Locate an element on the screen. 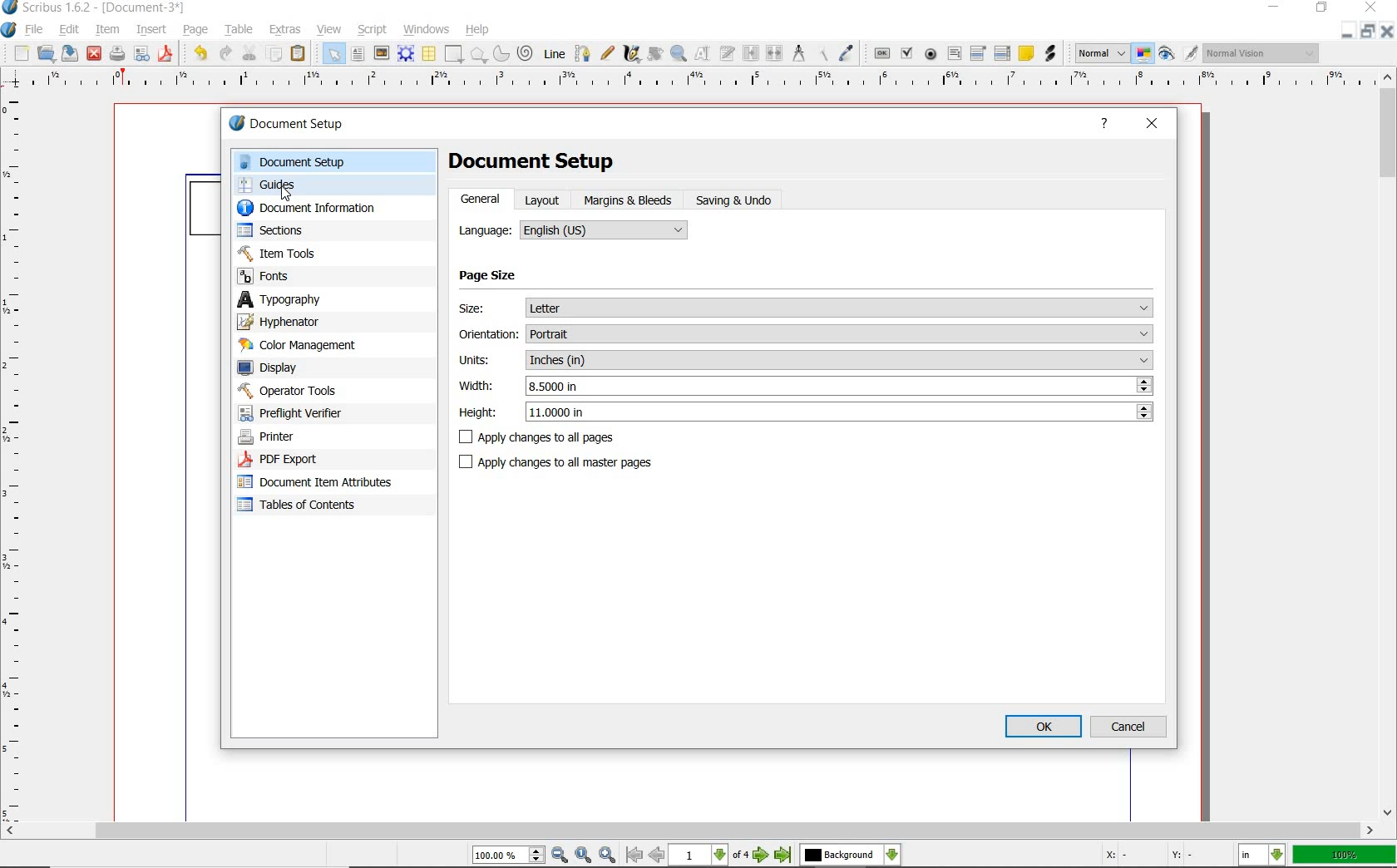 The image size is (1397, 868). hyphenator is located at coordinates (324, 323).